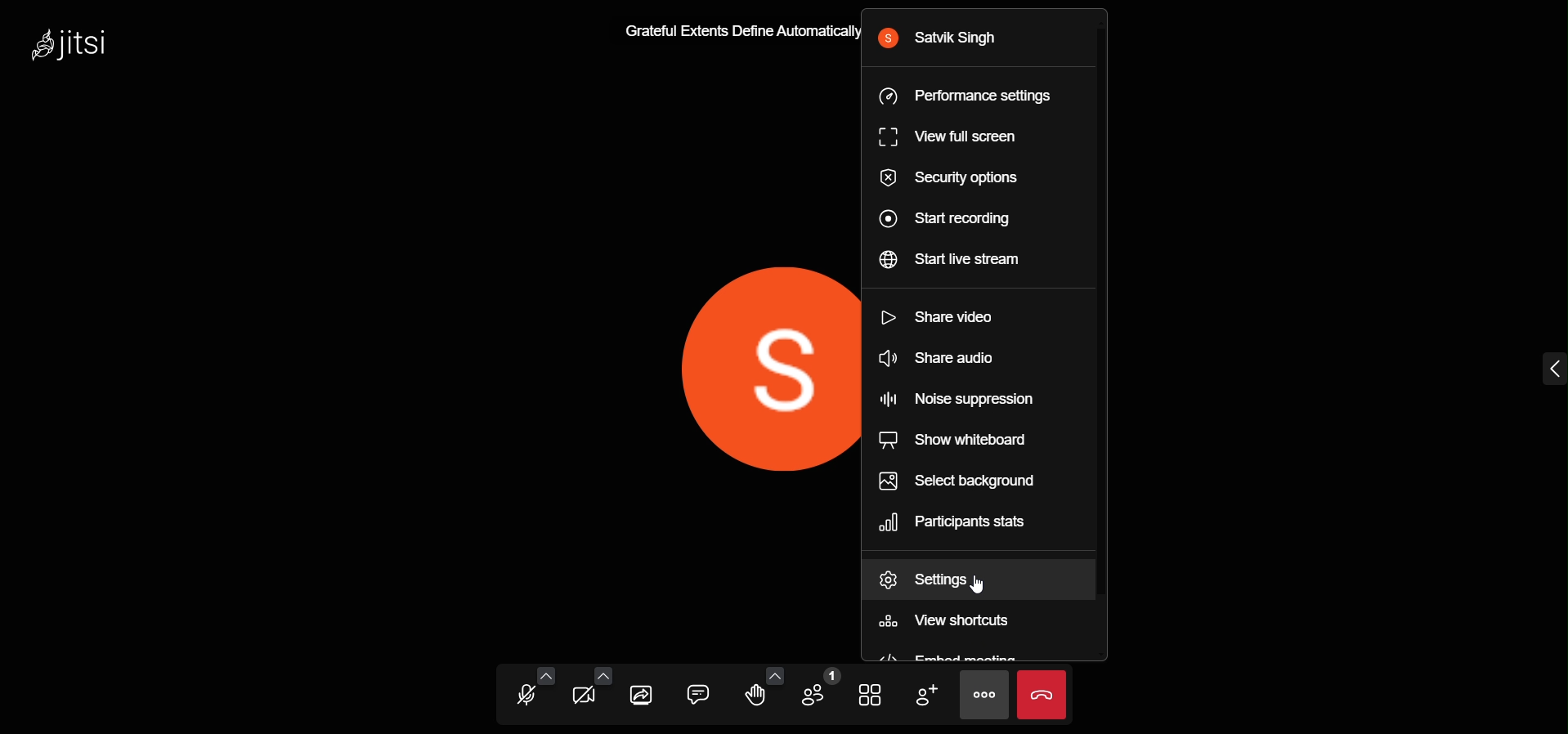 The image size is (1568, 734). Describe the element at coordinates (956, 138) in the screenshot. I see `view full screen` at that location.